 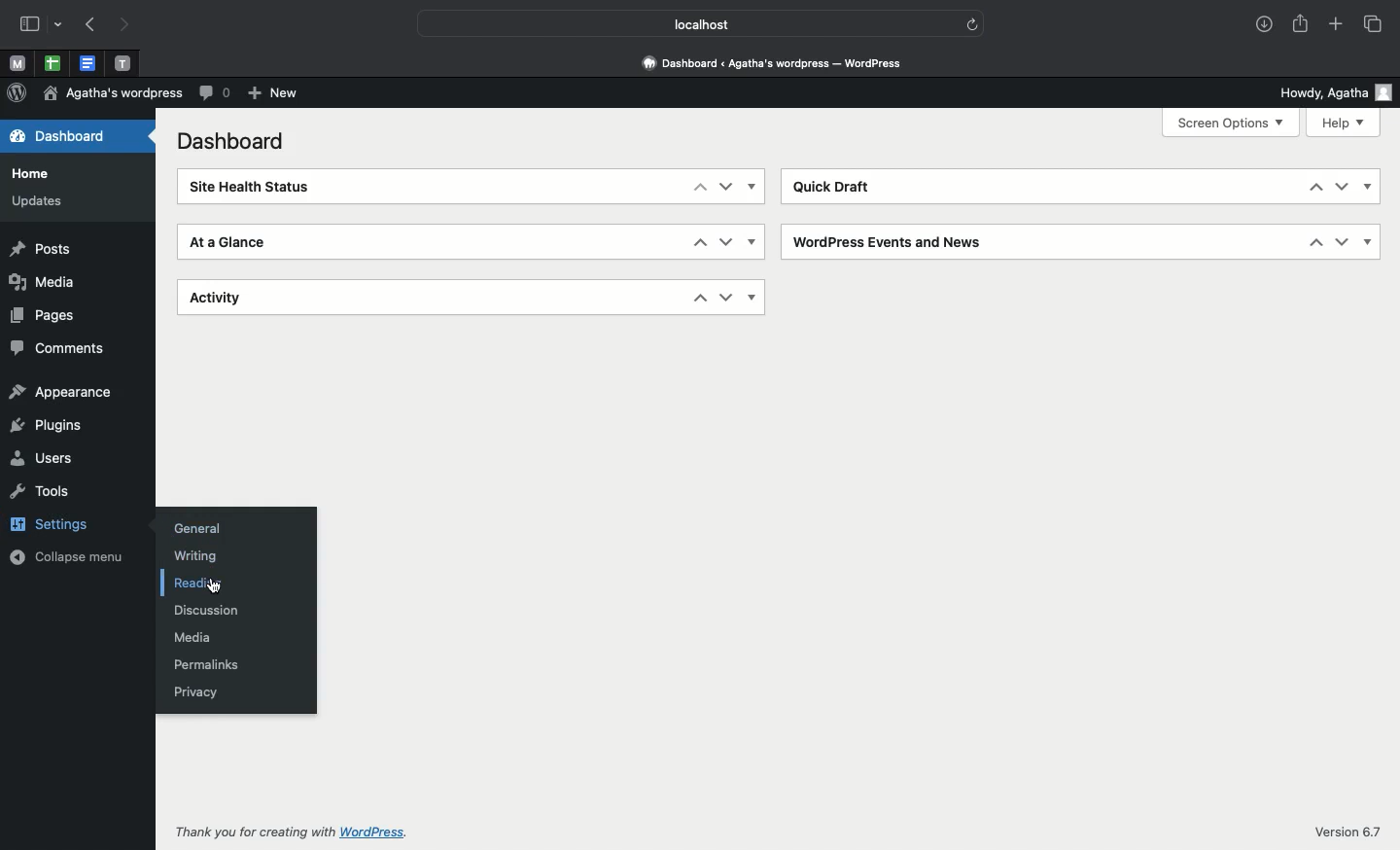 What do you see at coordinates (1297, 21) in the screenshot?
I see `Share` at bounding box center [1297, 21].